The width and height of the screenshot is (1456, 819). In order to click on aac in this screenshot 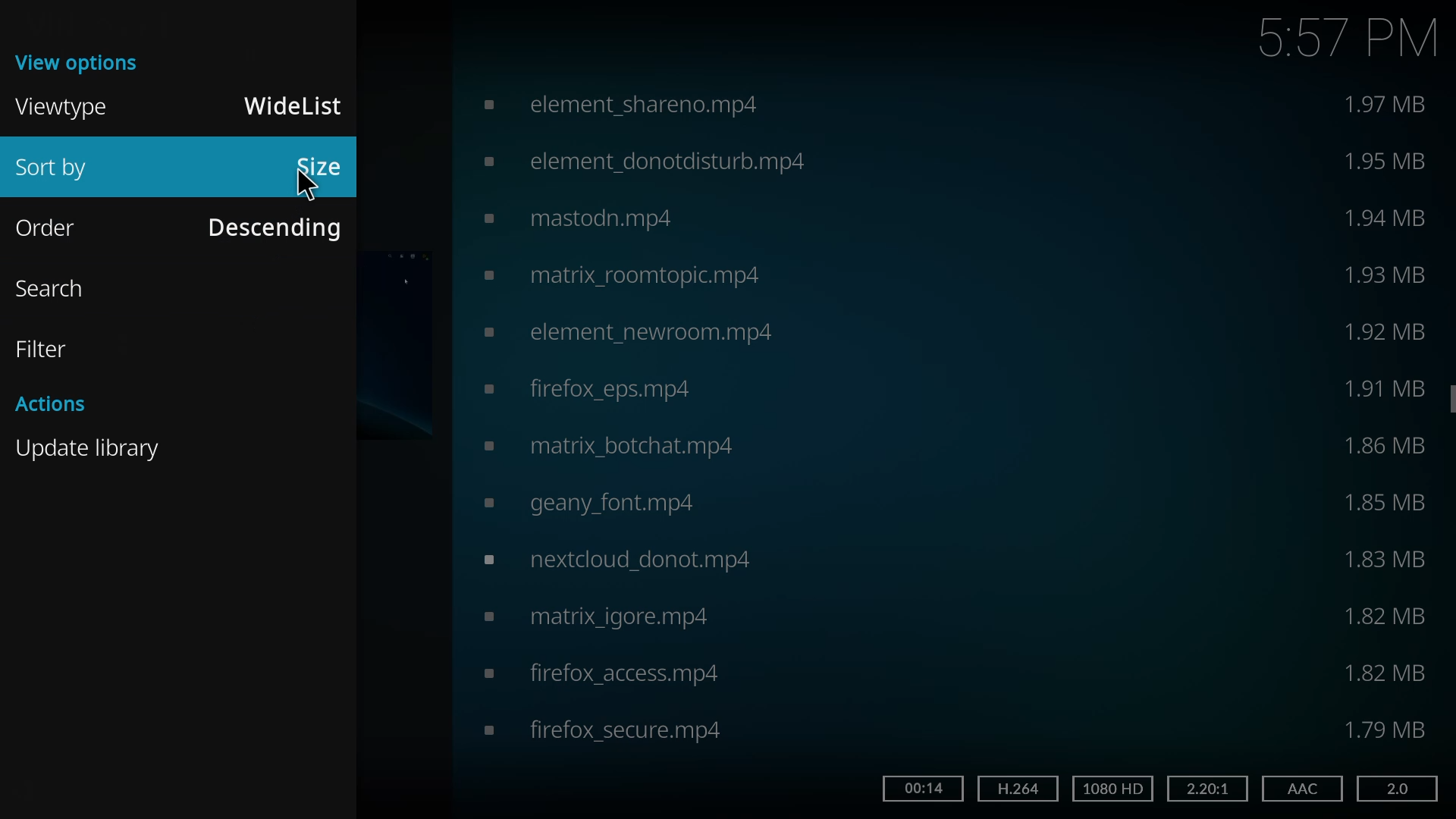, I will do `click(1300, 789)`.